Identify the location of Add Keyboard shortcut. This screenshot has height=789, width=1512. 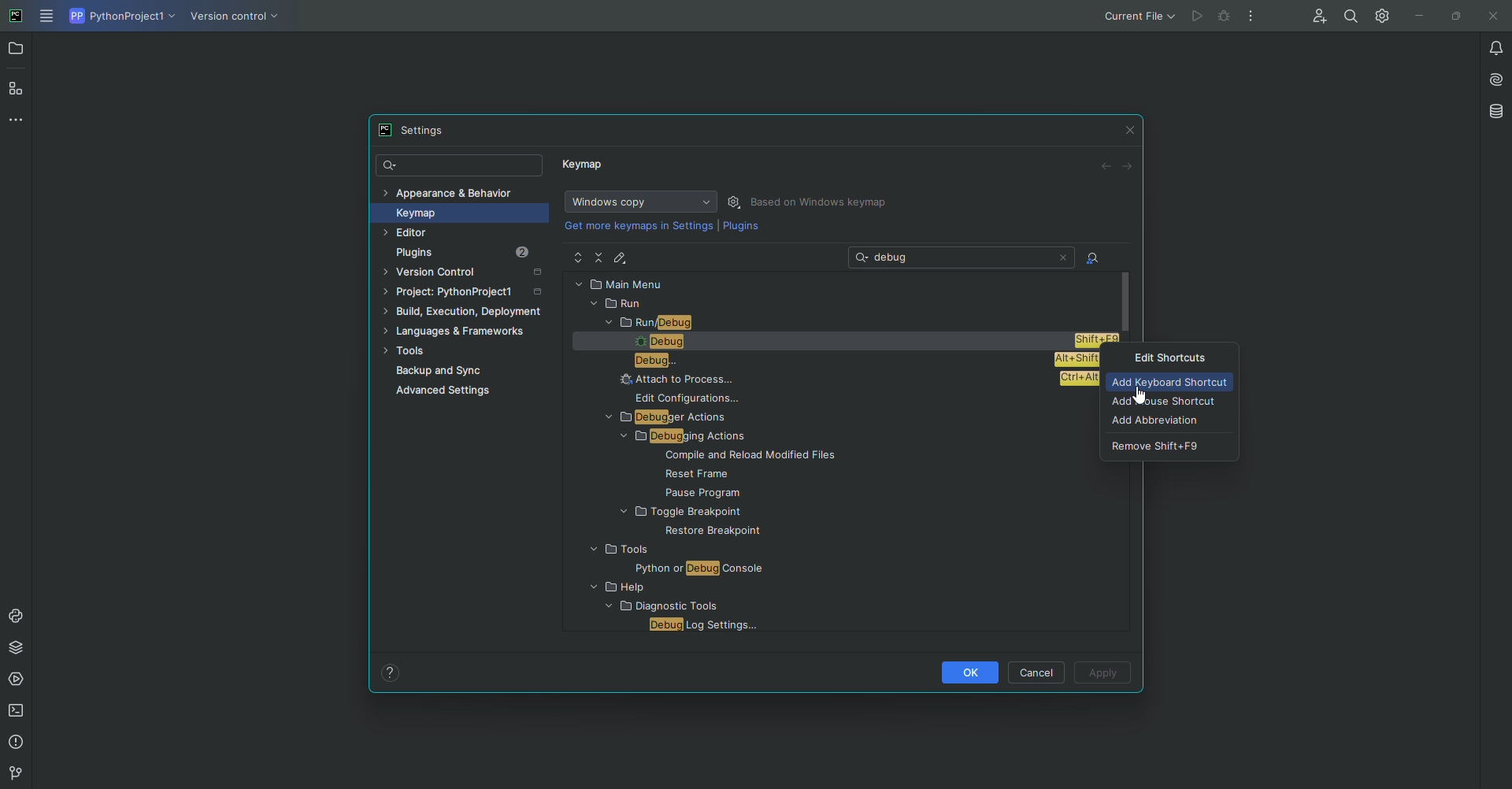
(1170, 382).